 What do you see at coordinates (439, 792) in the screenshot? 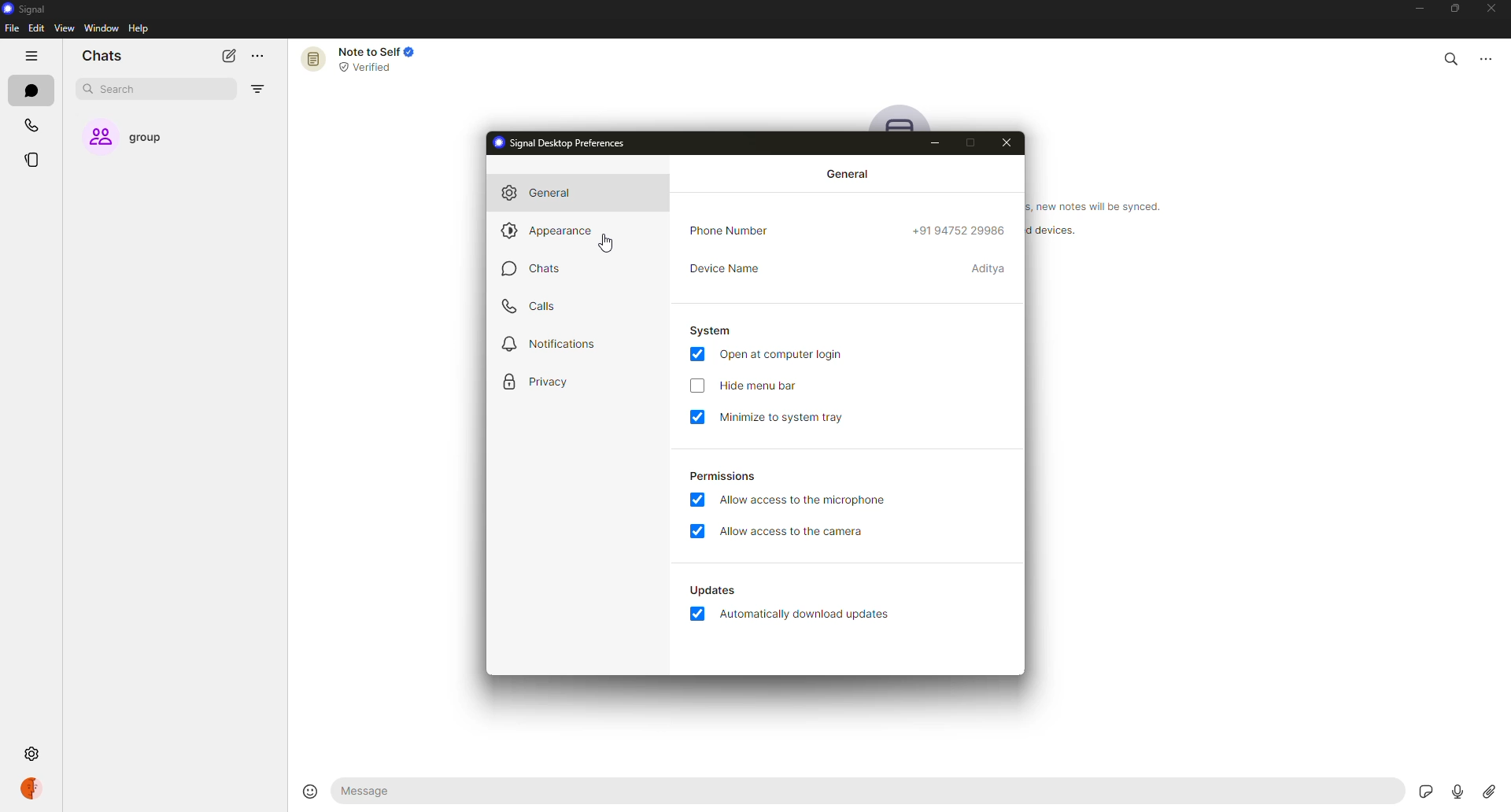
I see `message` at bounding box center [439, 792].